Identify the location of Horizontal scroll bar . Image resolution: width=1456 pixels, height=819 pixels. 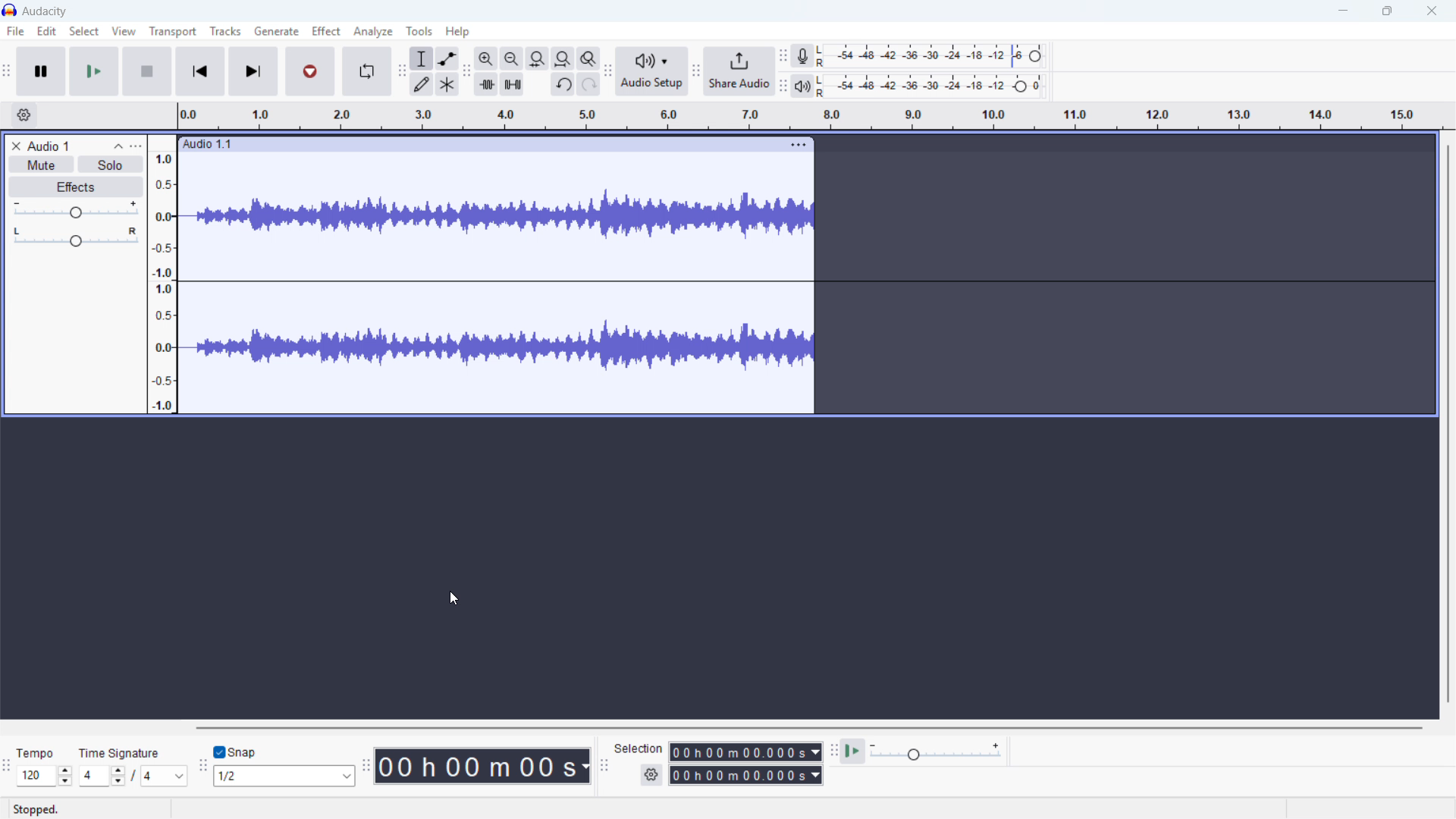
(807, 728).